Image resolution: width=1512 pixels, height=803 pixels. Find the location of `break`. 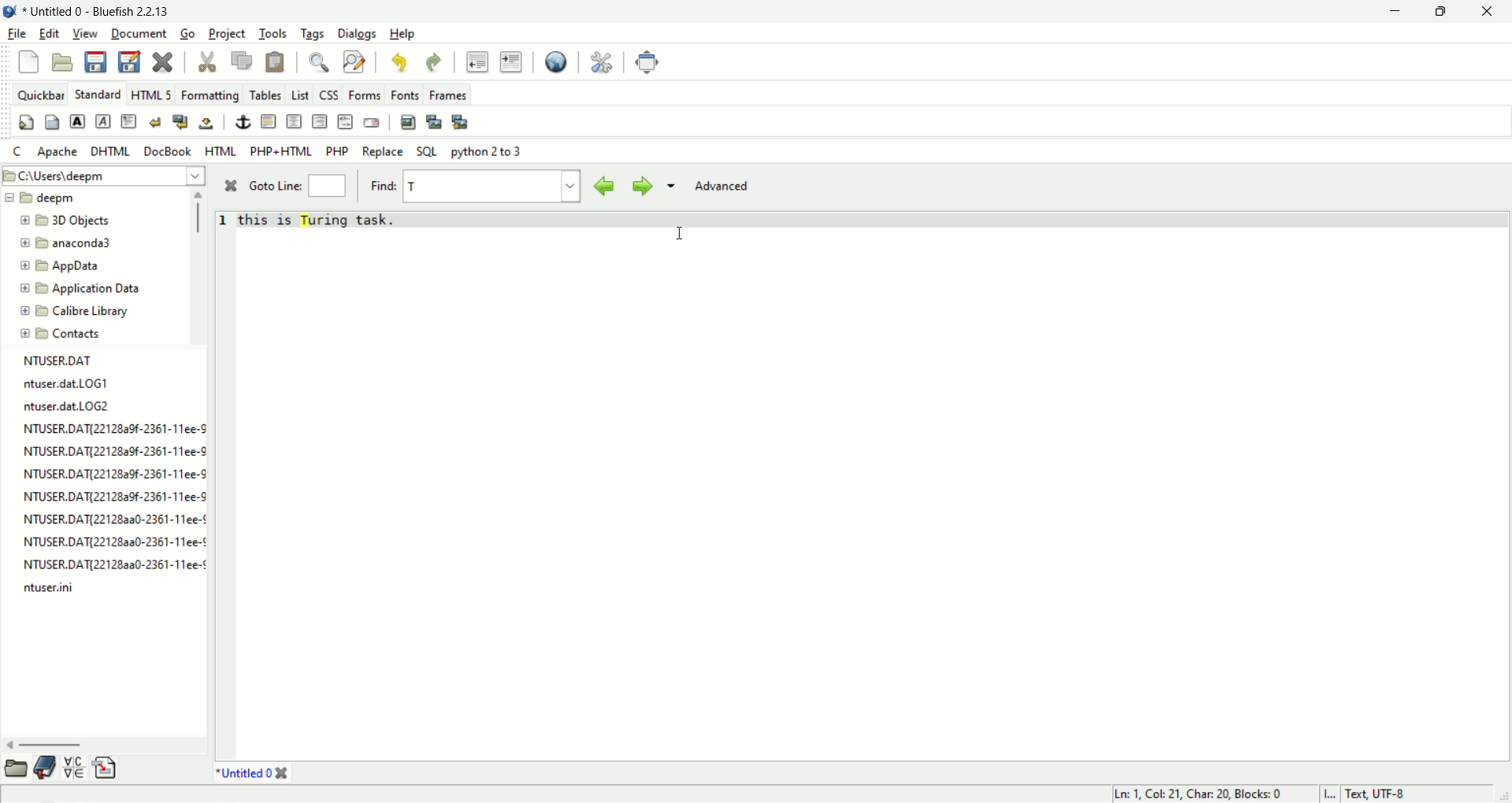

break is located at coordinates (155, 122).